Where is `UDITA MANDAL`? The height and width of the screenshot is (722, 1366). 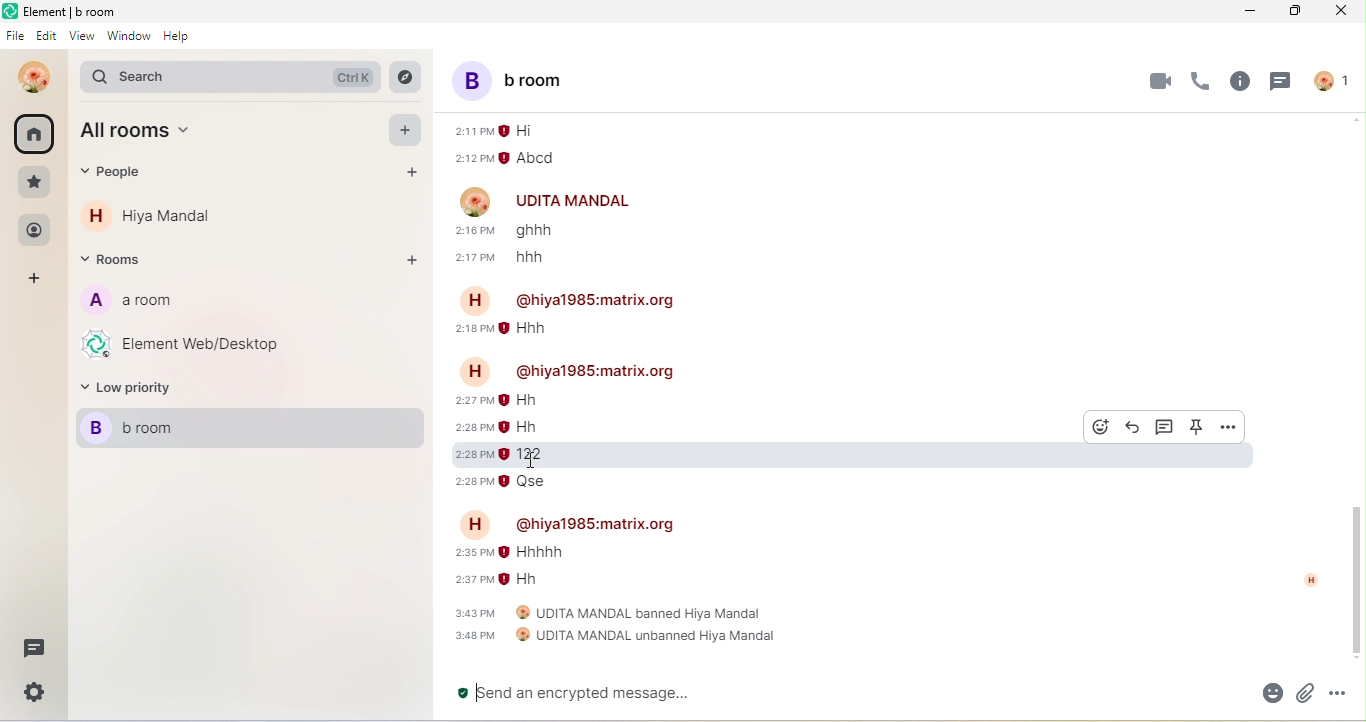
UDITA MANDAL is located at coordinates (573, 201).